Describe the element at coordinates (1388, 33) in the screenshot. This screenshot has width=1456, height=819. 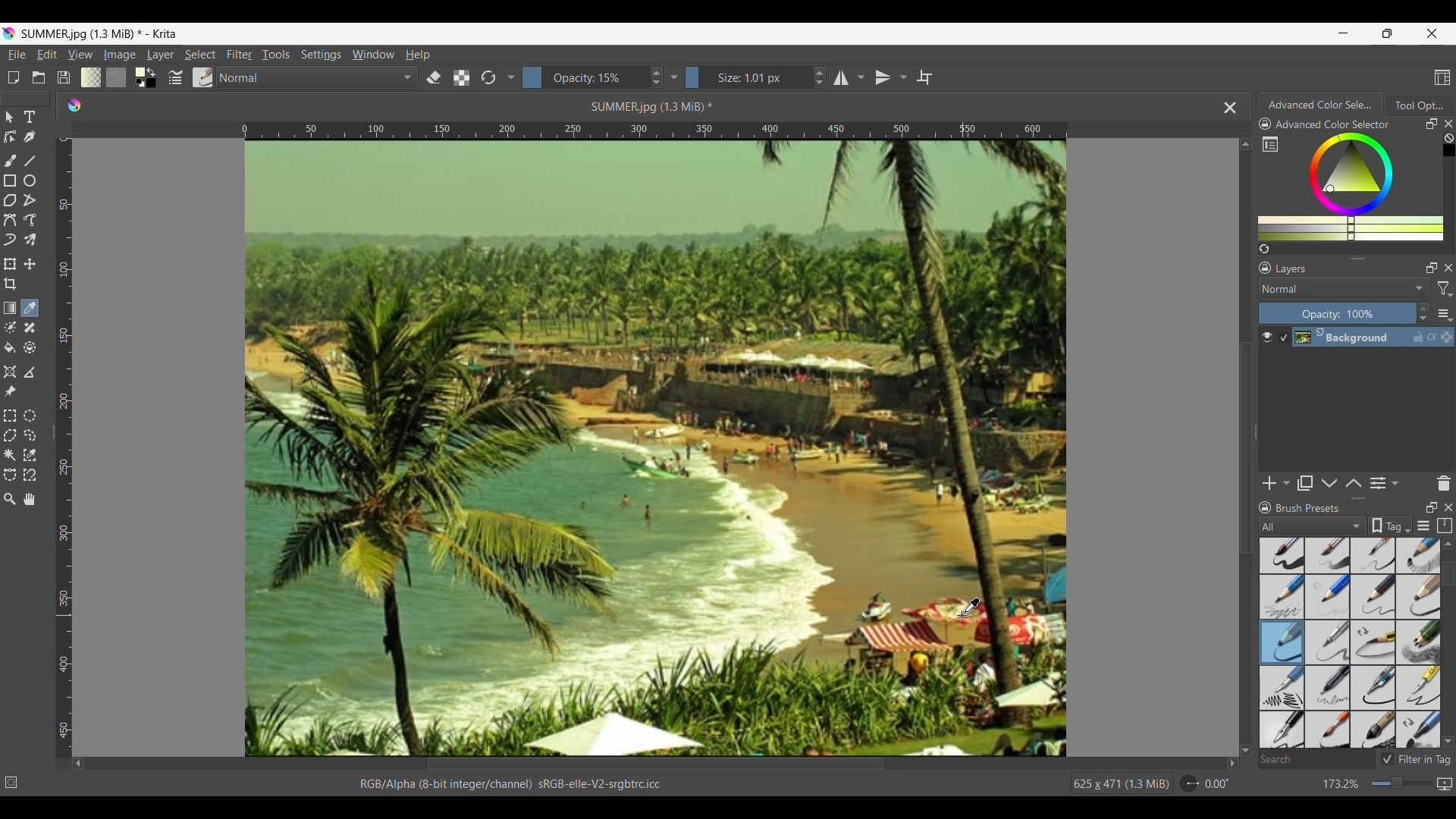
I see `Show interface in smaller tab` at that location.